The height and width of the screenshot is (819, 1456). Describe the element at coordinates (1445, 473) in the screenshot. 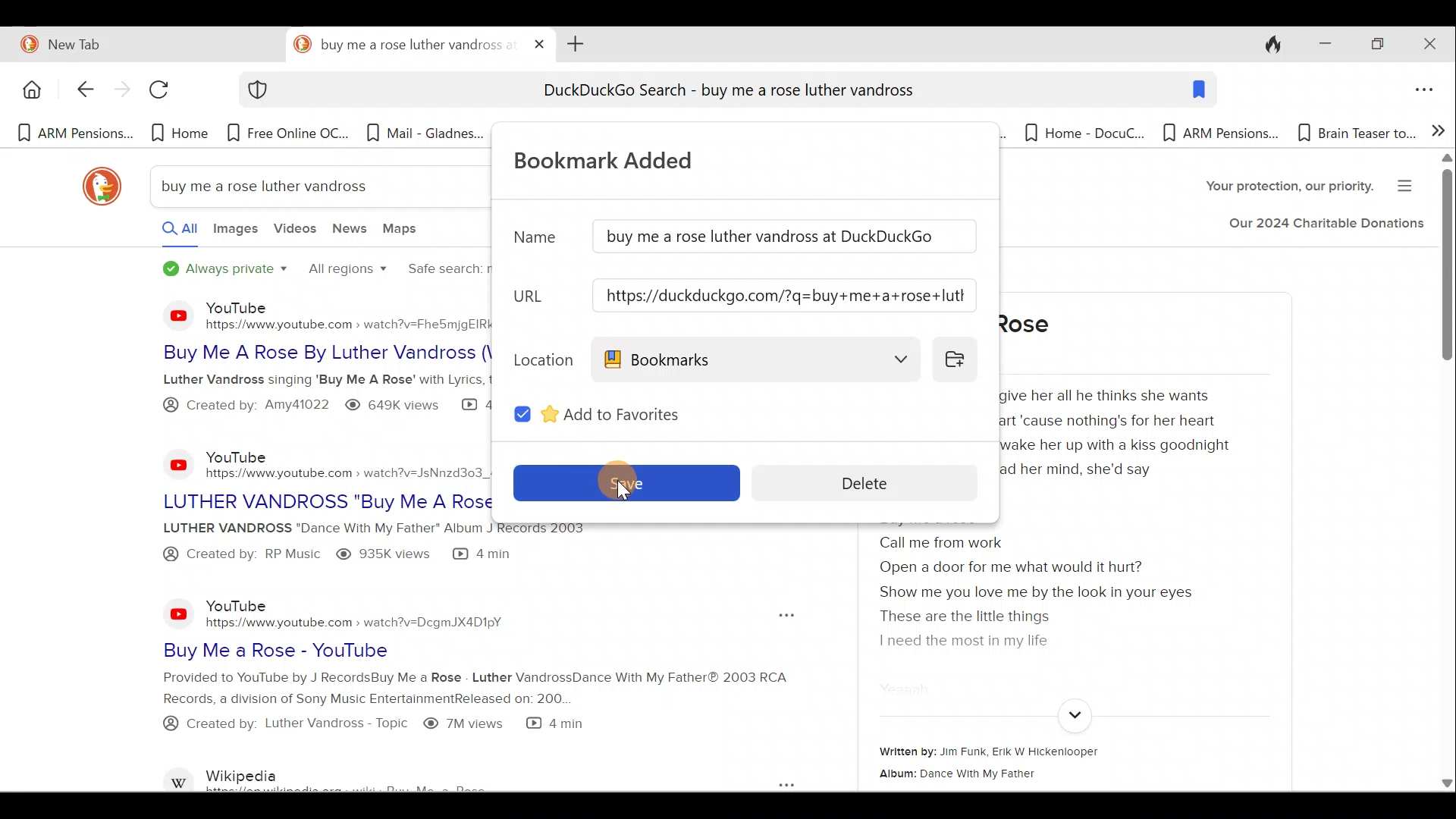

I see `Scroll bar` at that location.